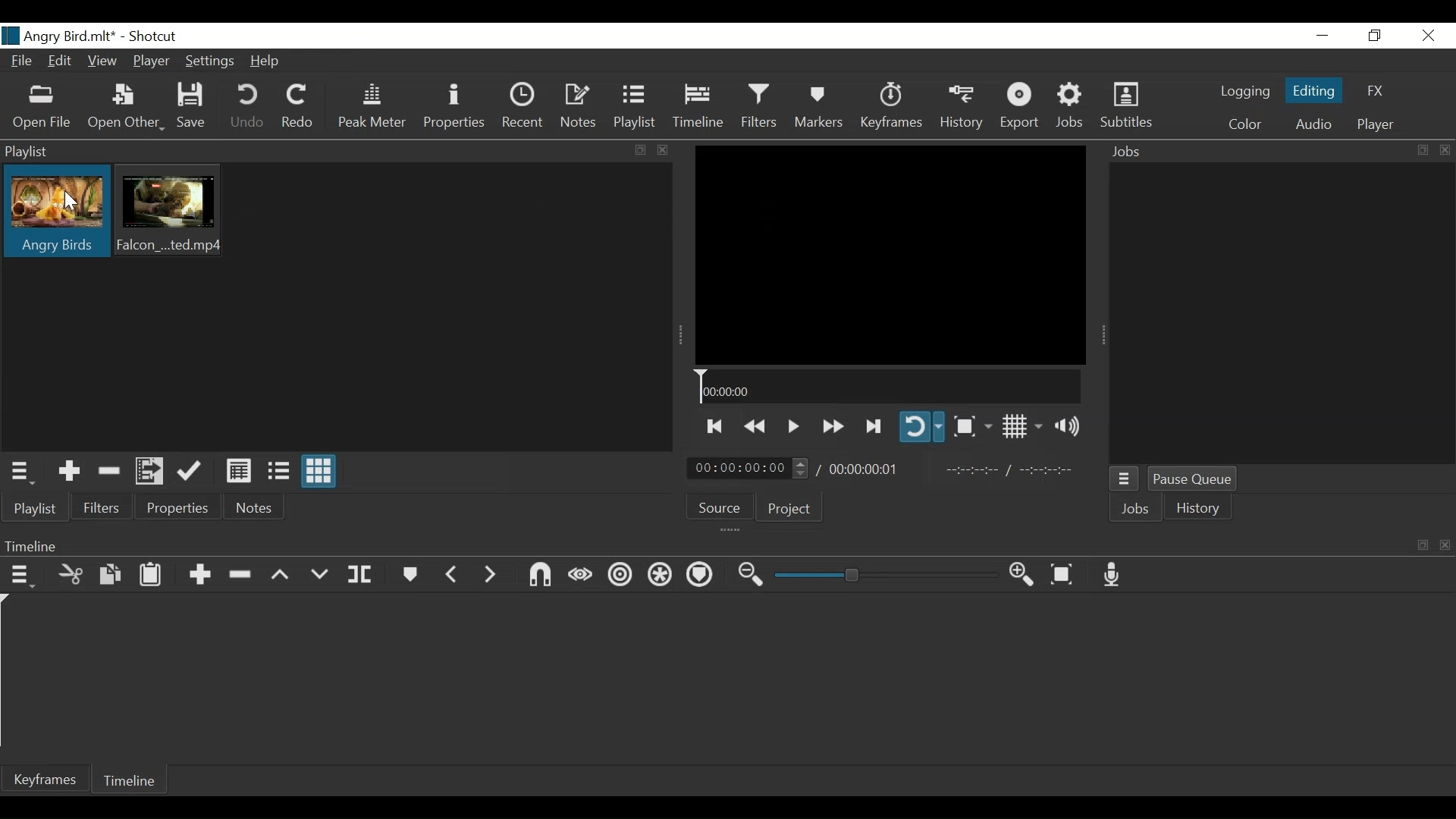  What do you see at coordinates (1135, 508) in the screenshot?
I see `Jobs` at bounding box center [1135, 508].